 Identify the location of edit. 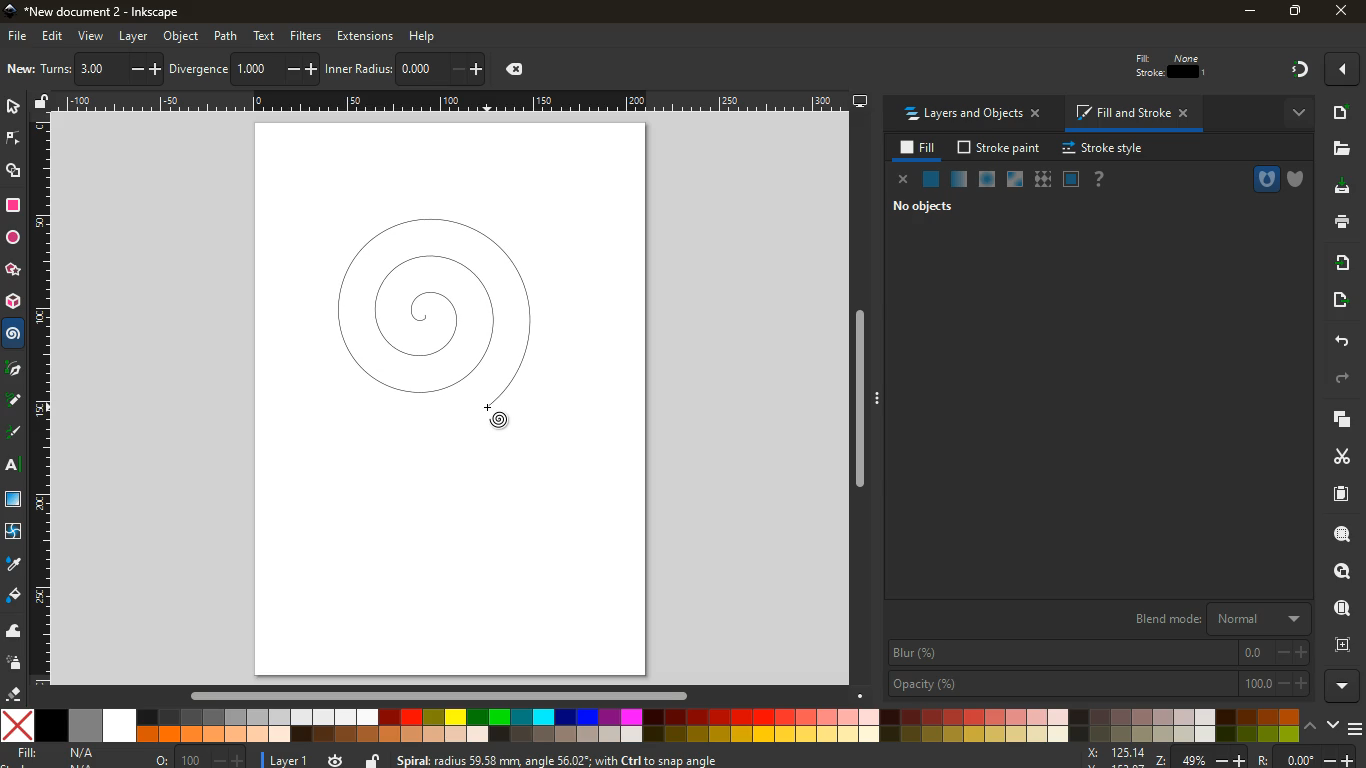
(1145, 69).